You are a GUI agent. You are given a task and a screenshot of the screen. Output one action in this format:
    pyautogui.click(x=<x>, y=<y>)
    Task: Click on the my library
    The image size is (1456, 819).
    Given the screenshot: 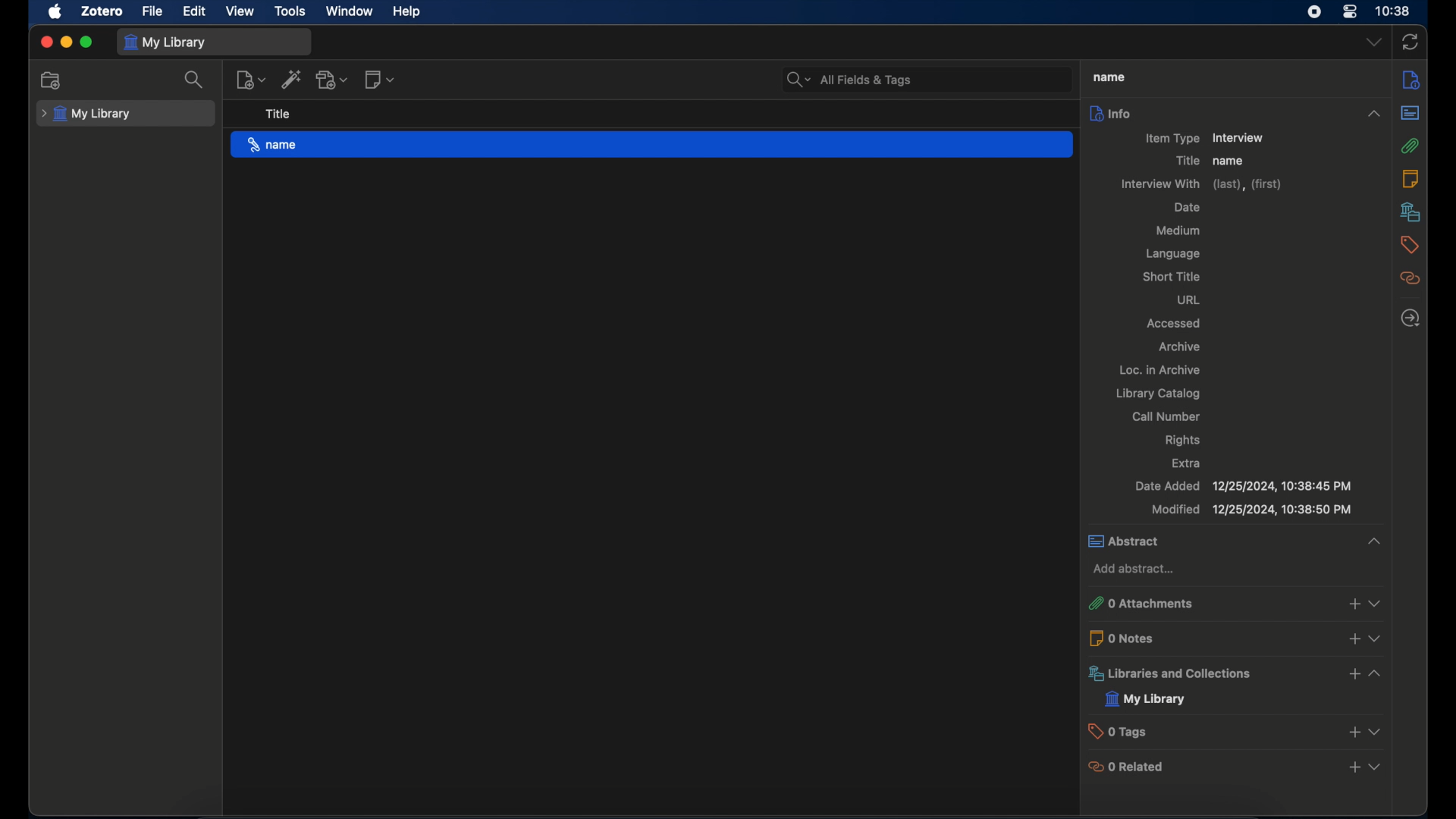 What is the action you would take?
    pyautogui.click(x=1147, y=698)
    